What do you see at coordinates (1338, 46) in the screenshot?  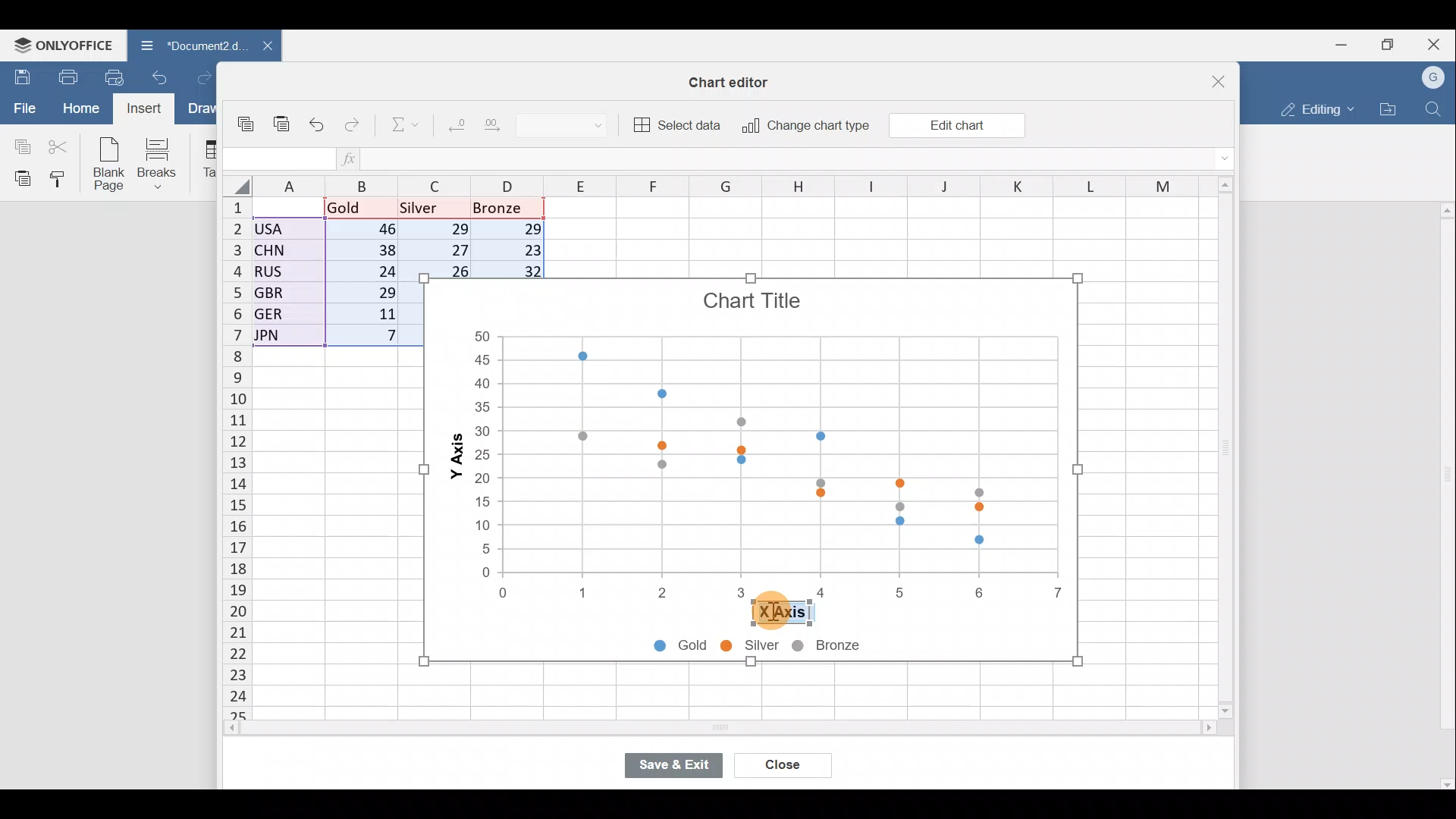 I see `Minimize` at bounding box center [1338, 46].